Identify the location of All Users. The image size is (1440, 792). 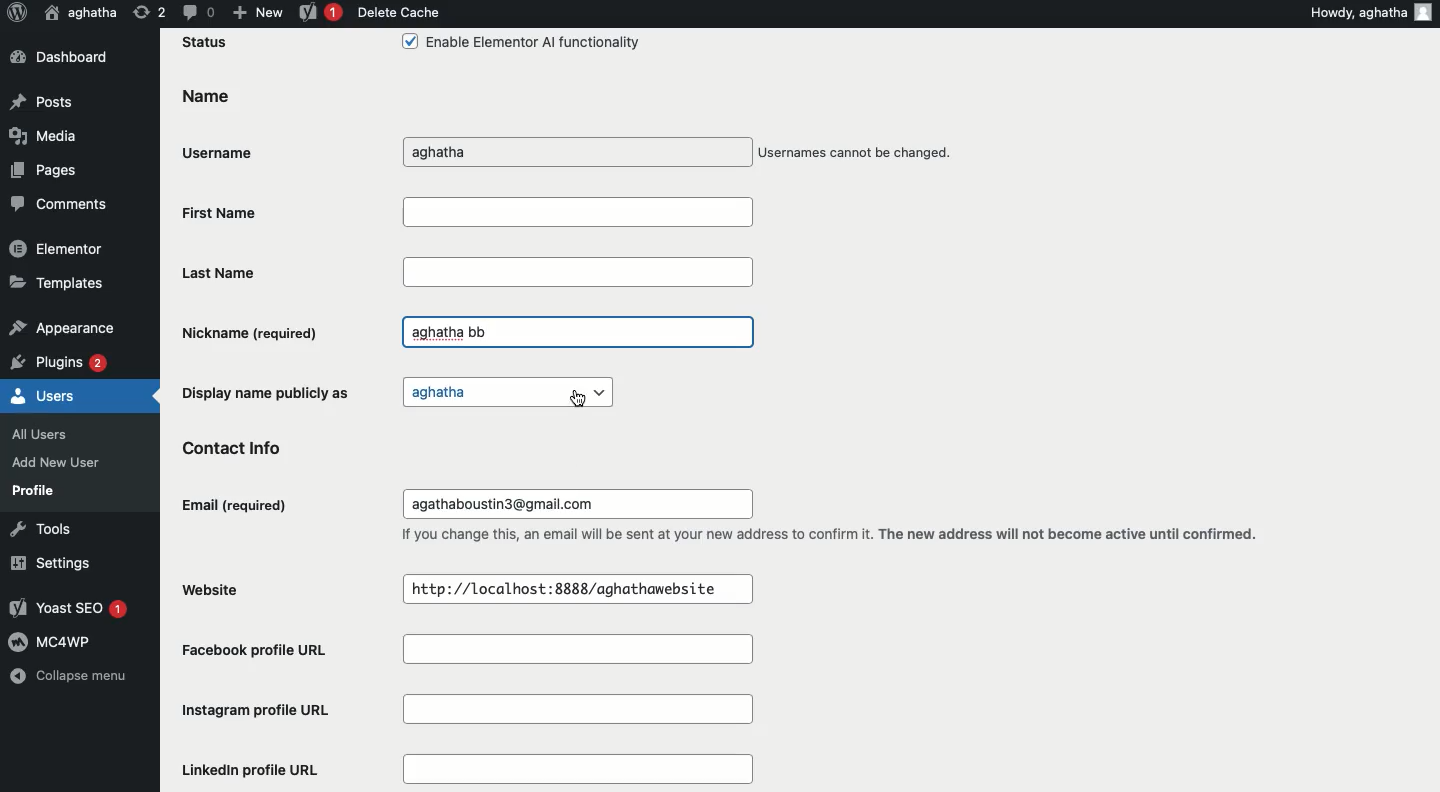
(50, 432).